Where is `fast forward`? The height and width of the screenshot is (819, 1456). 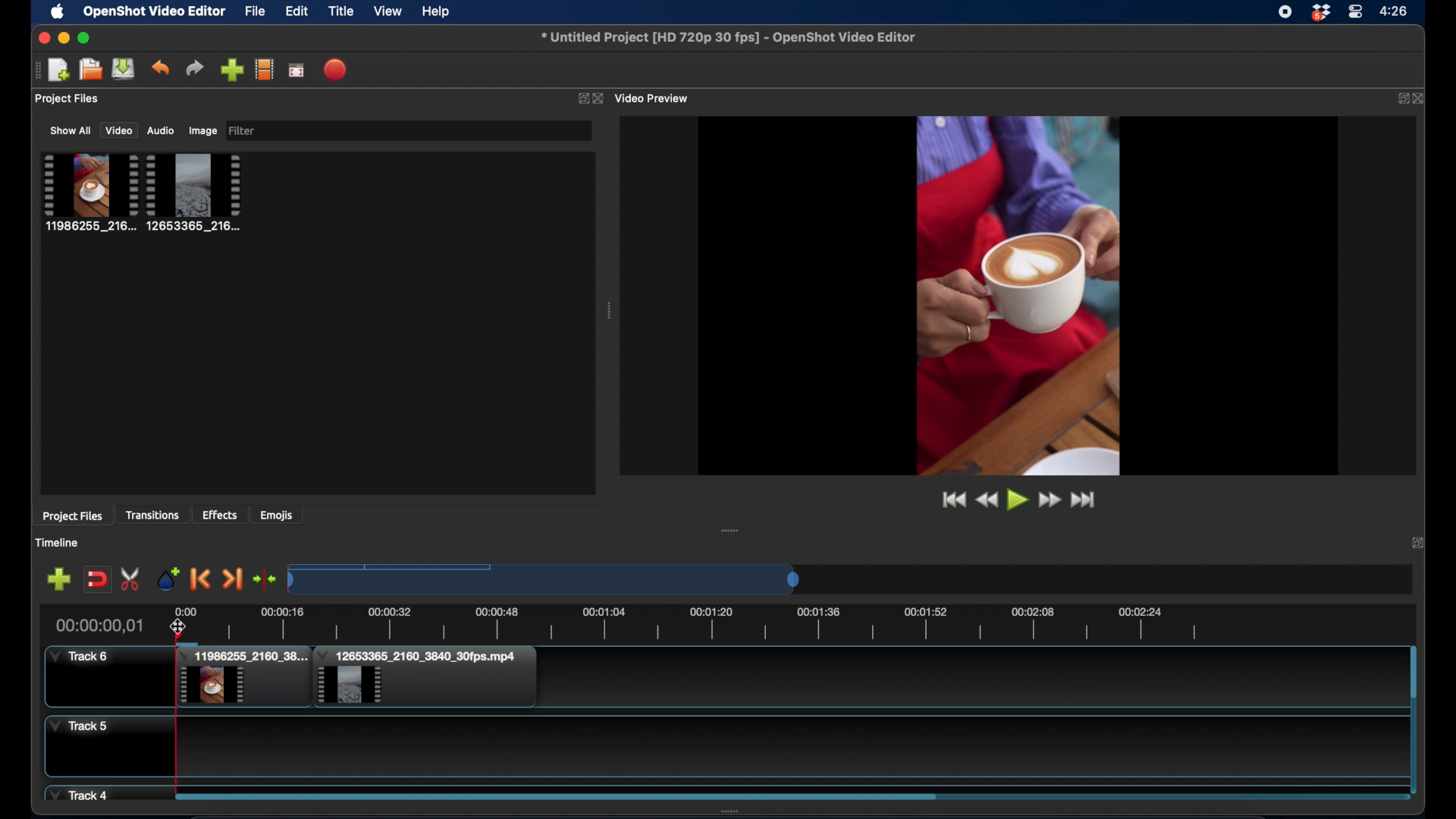
fast forward is located at coordinates (1049, 500).